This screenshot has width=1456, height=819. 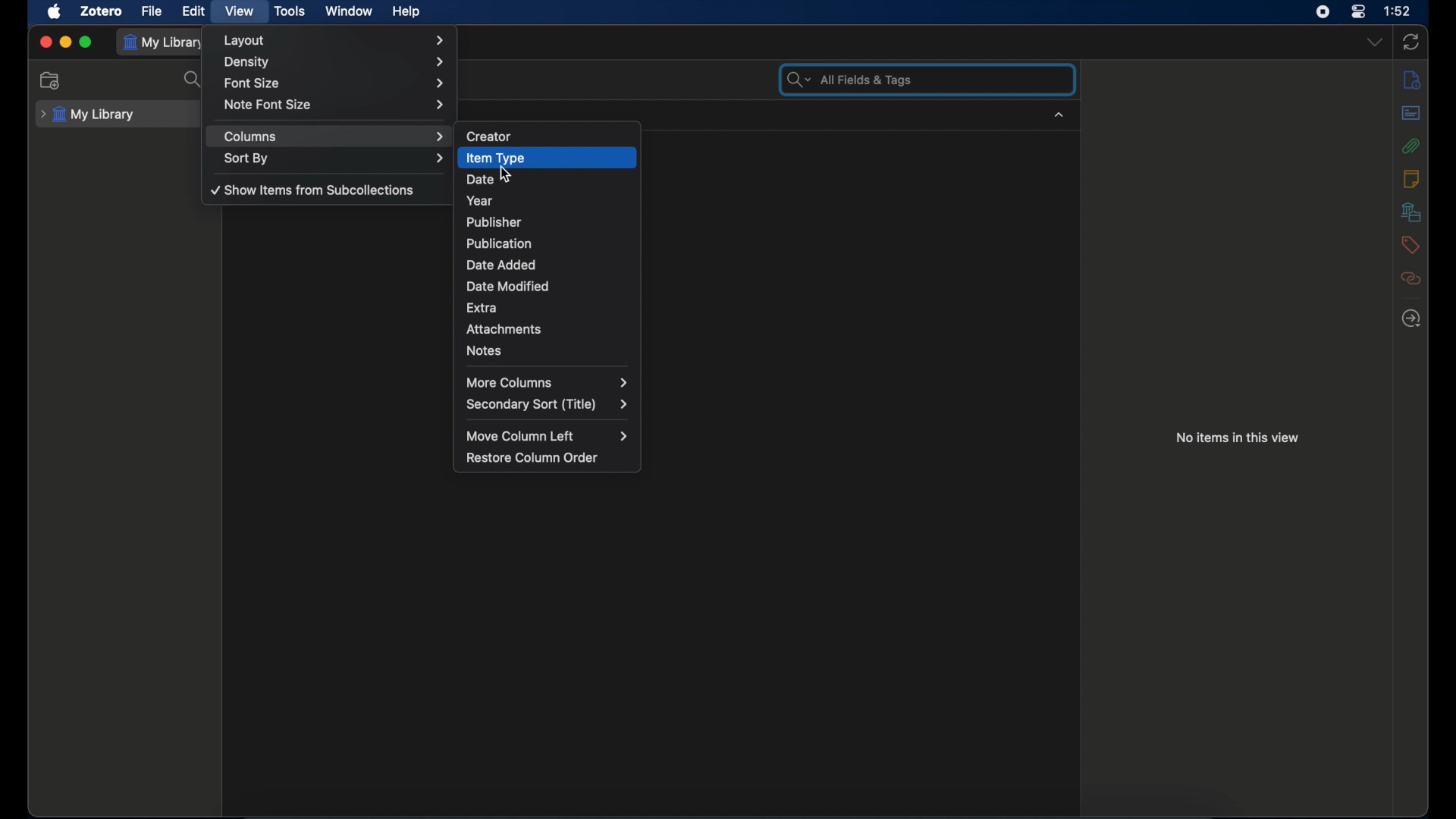 I want to click on notes, so click(x=484, y=350).